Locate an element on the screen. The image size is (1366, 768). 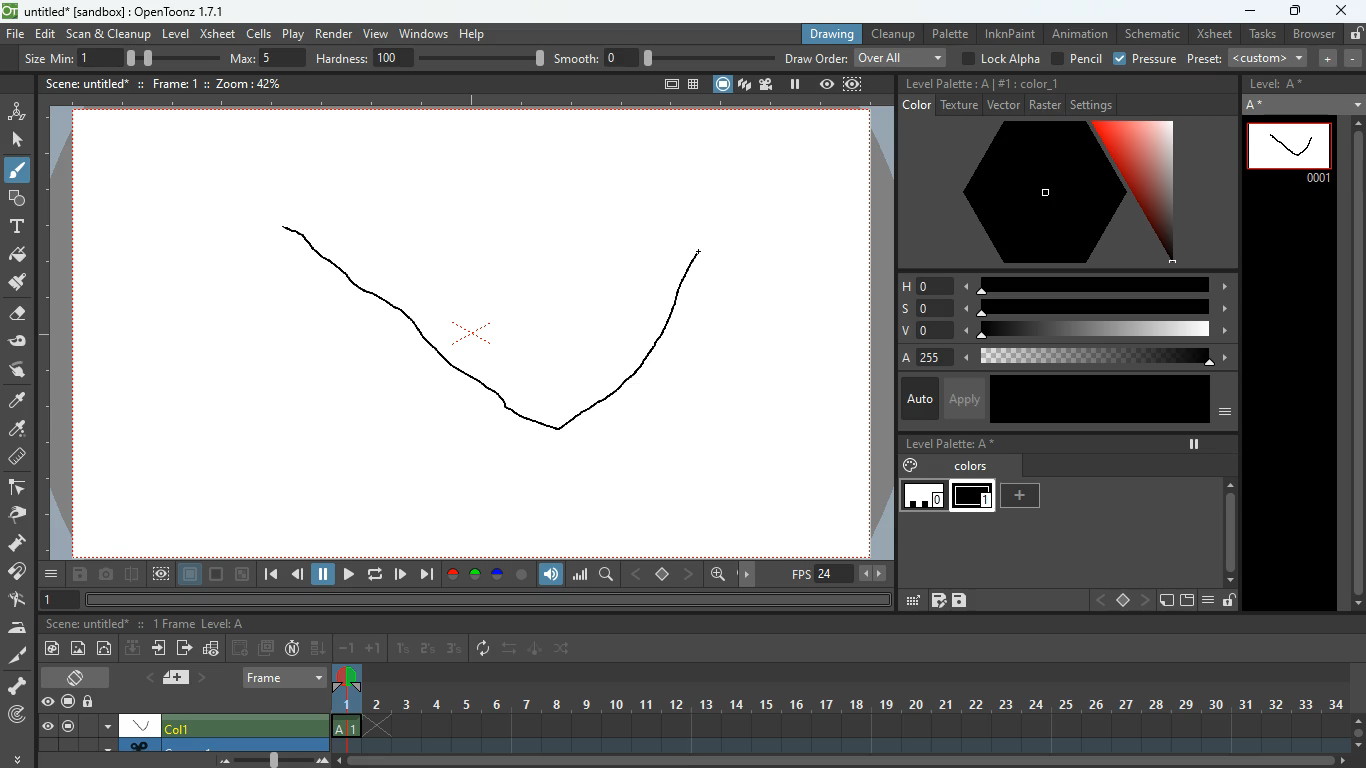
move is located at coordinates (161, 648).